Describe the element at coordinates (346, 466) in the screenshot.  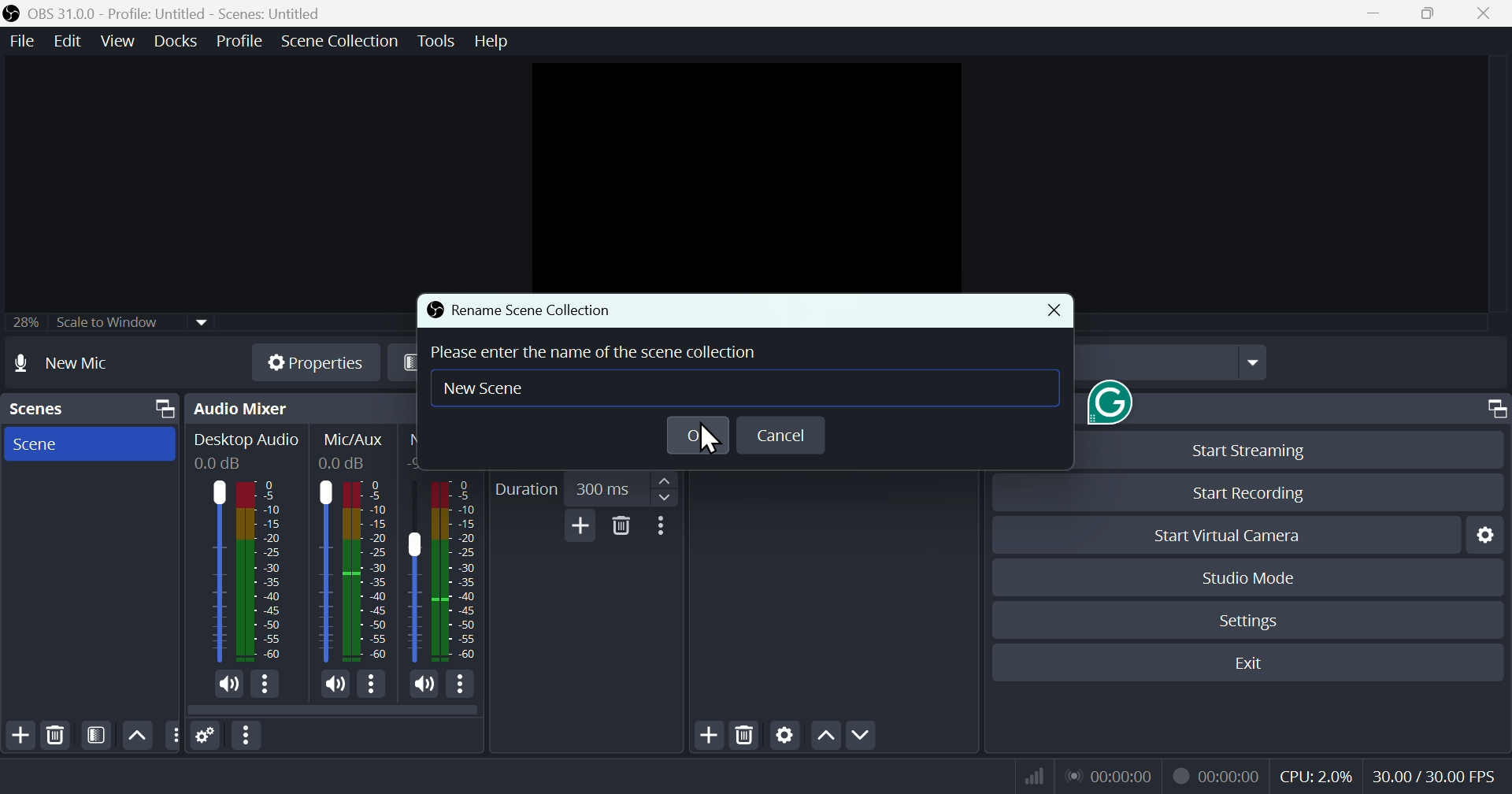
I see `0.0dB` at that location.